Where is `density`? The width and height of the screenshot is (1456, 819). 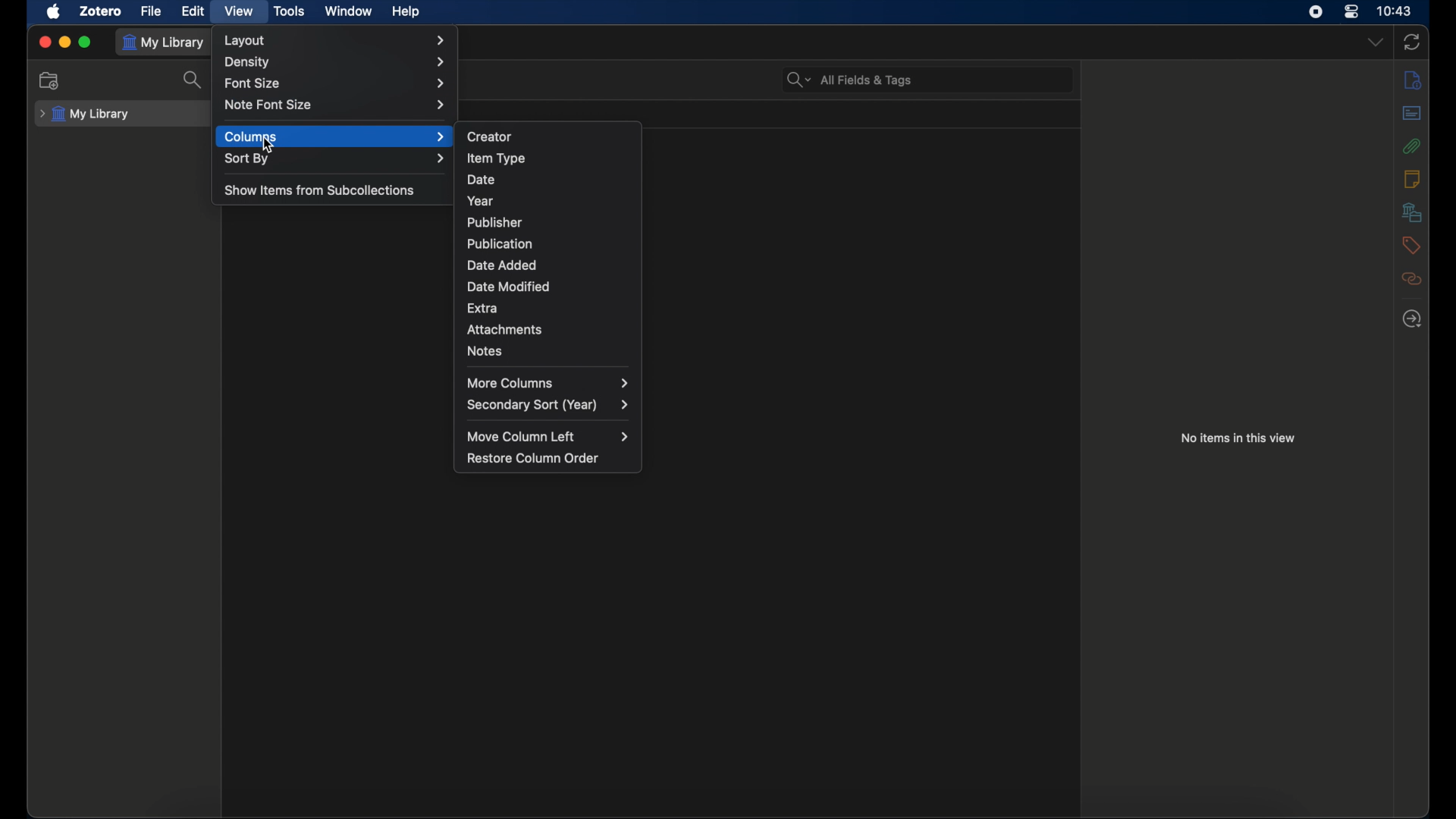
density is located at coordinates (336, 62).